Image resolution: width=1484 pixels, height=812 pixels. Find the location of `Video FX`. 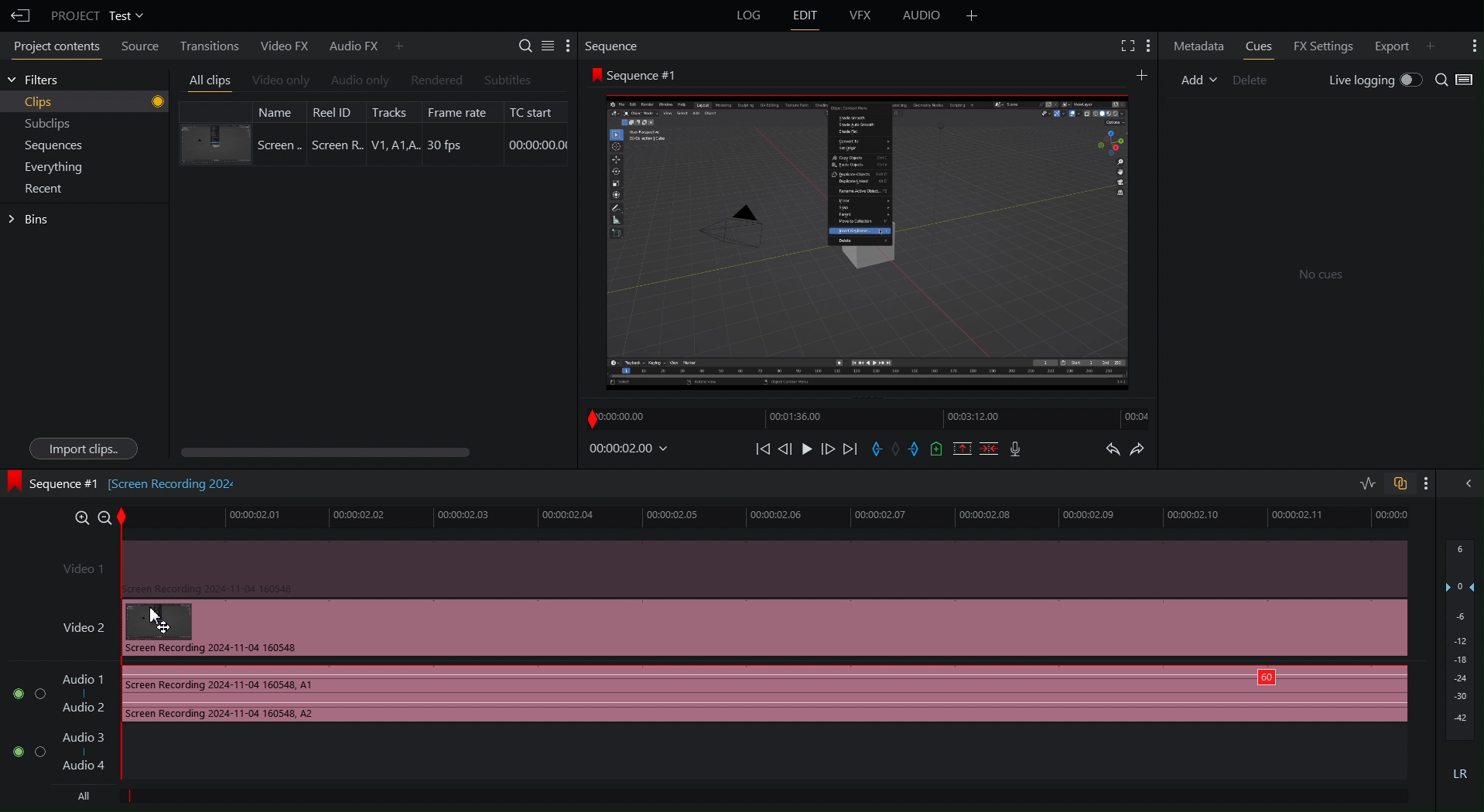

Video FX is located at coordinates (284, 45).